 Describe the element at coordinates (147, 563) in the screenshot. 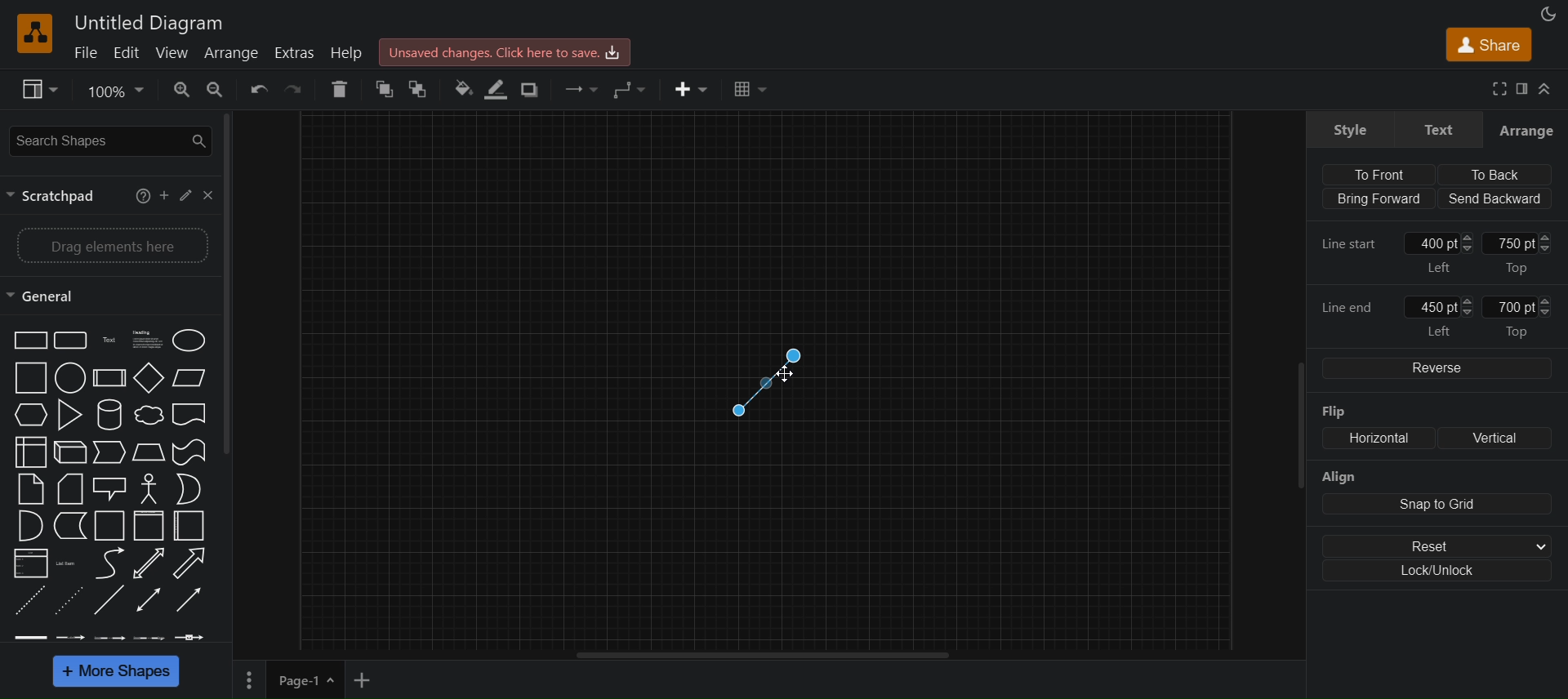

I see `Bidirectional arrow` at that location.